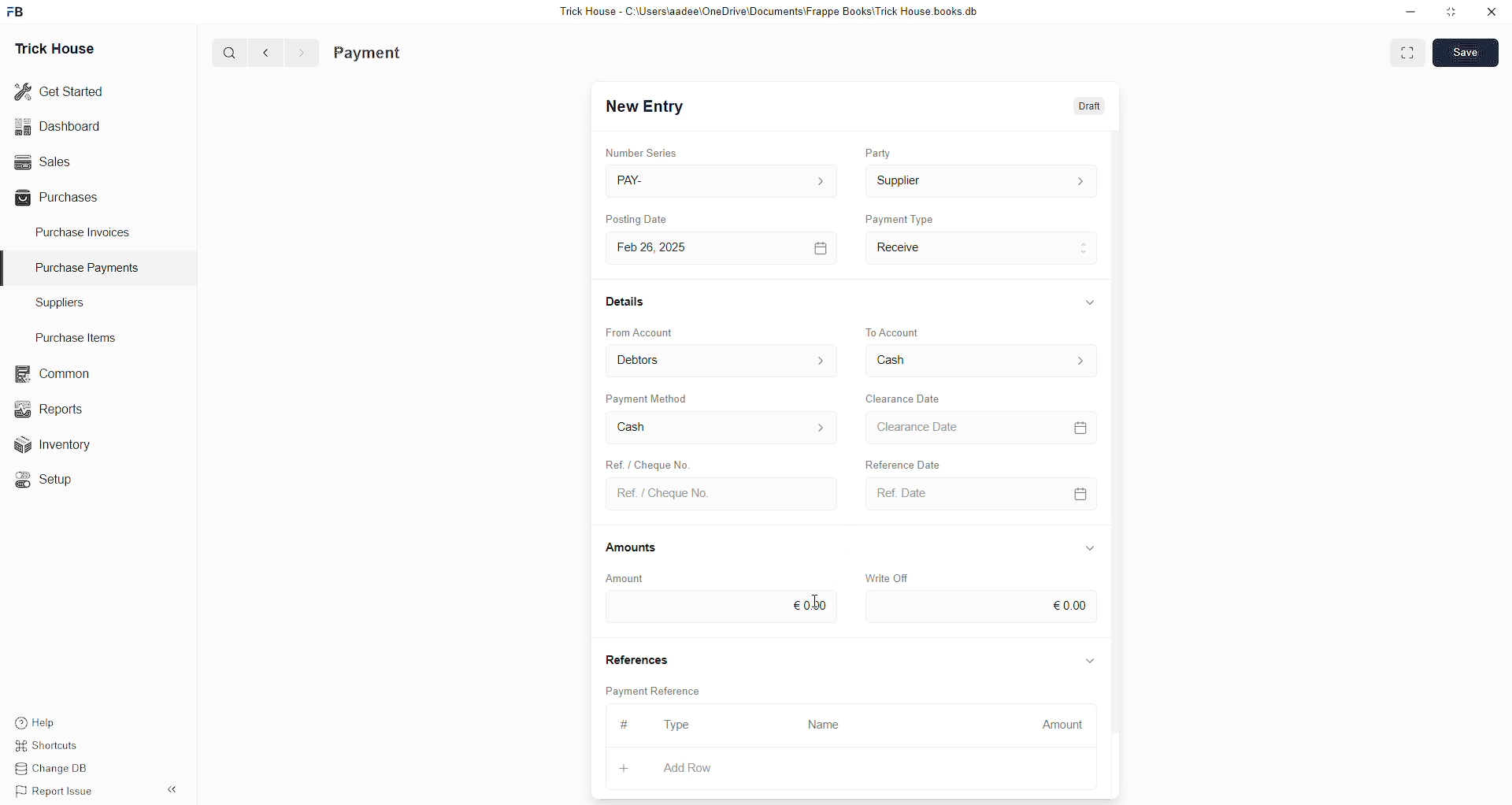  What do you see at coordinates (720, 179) in the screenshot?
I see `PAY-` at bounding box center [720, 179].